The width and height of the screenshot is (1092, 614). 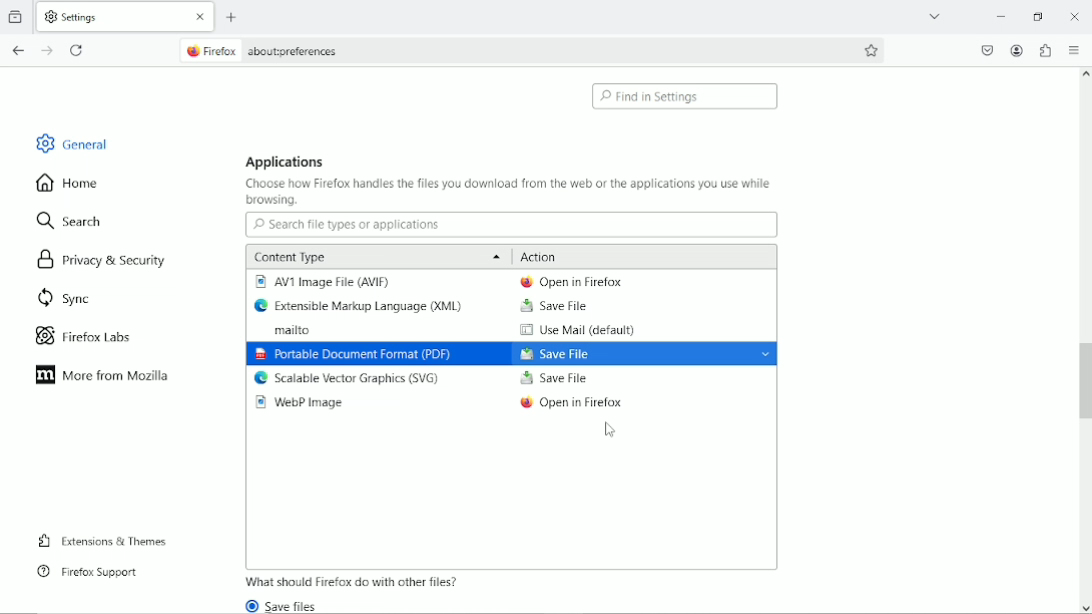 What do you see at coordinates (687, 96) in the screenshot?
I see `find in settings` at bounding box center [687, 96].